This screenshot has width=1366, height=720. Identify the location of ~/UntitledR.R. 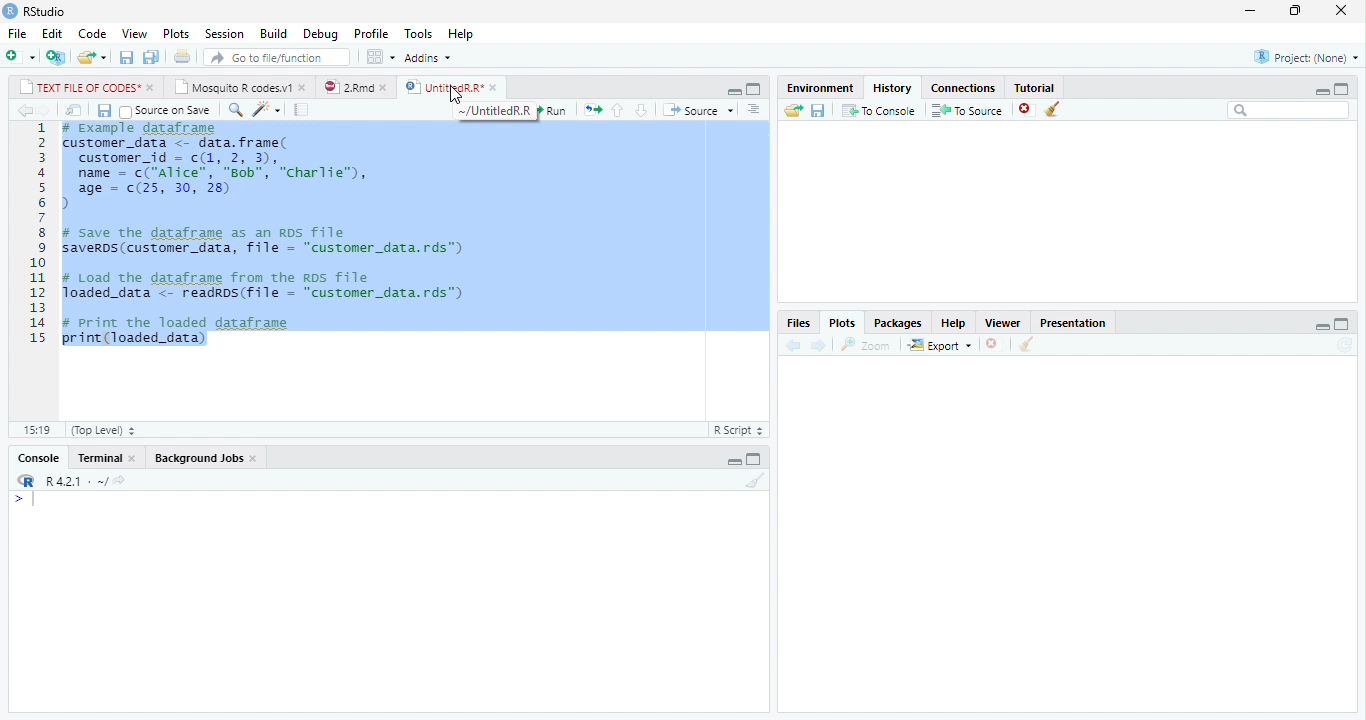
(497, 111).